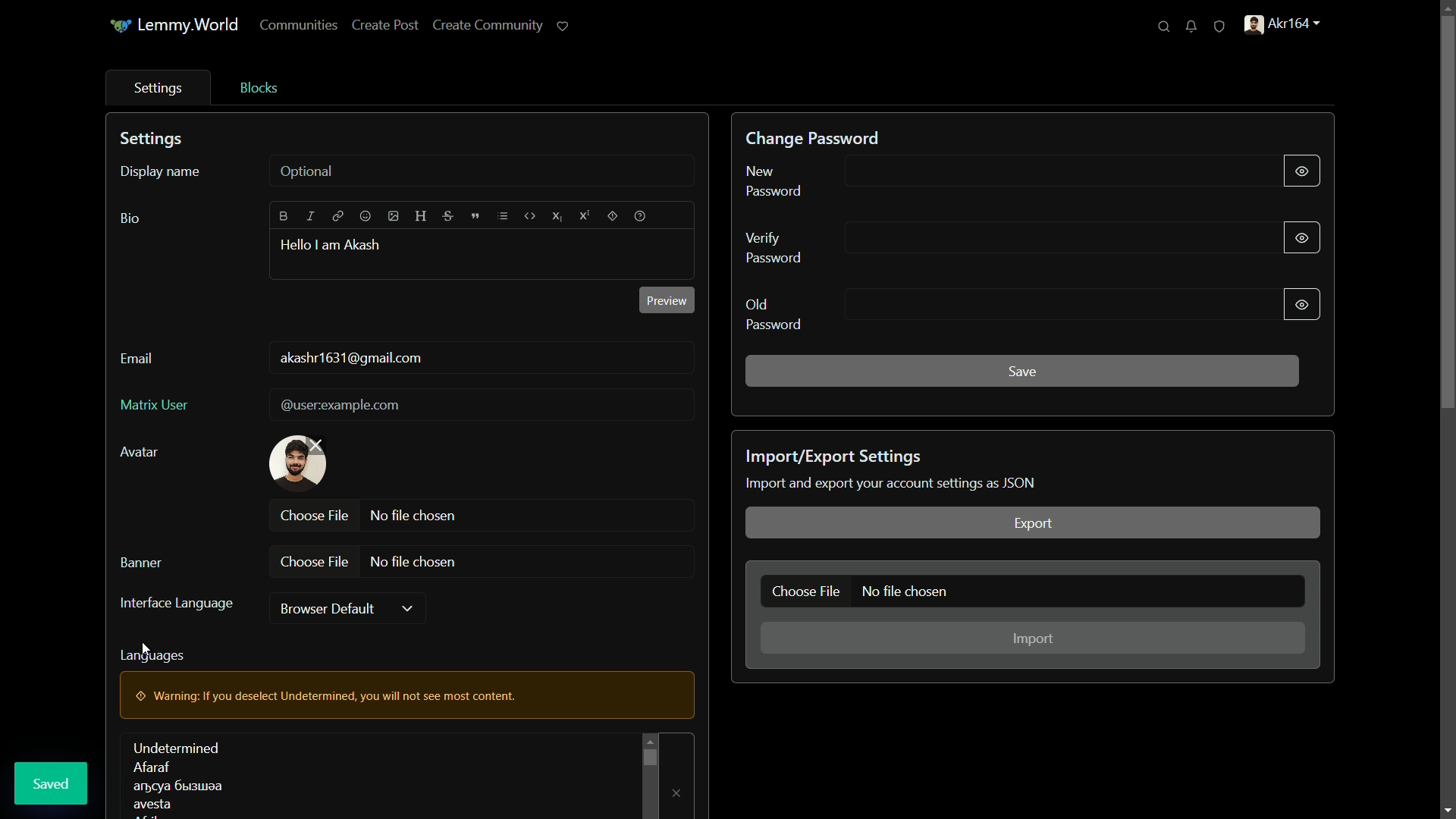  What do you see at coordinates (190, 26) in the screenshot?
I see `Lemmy.World` at bounding box center [190, 26].